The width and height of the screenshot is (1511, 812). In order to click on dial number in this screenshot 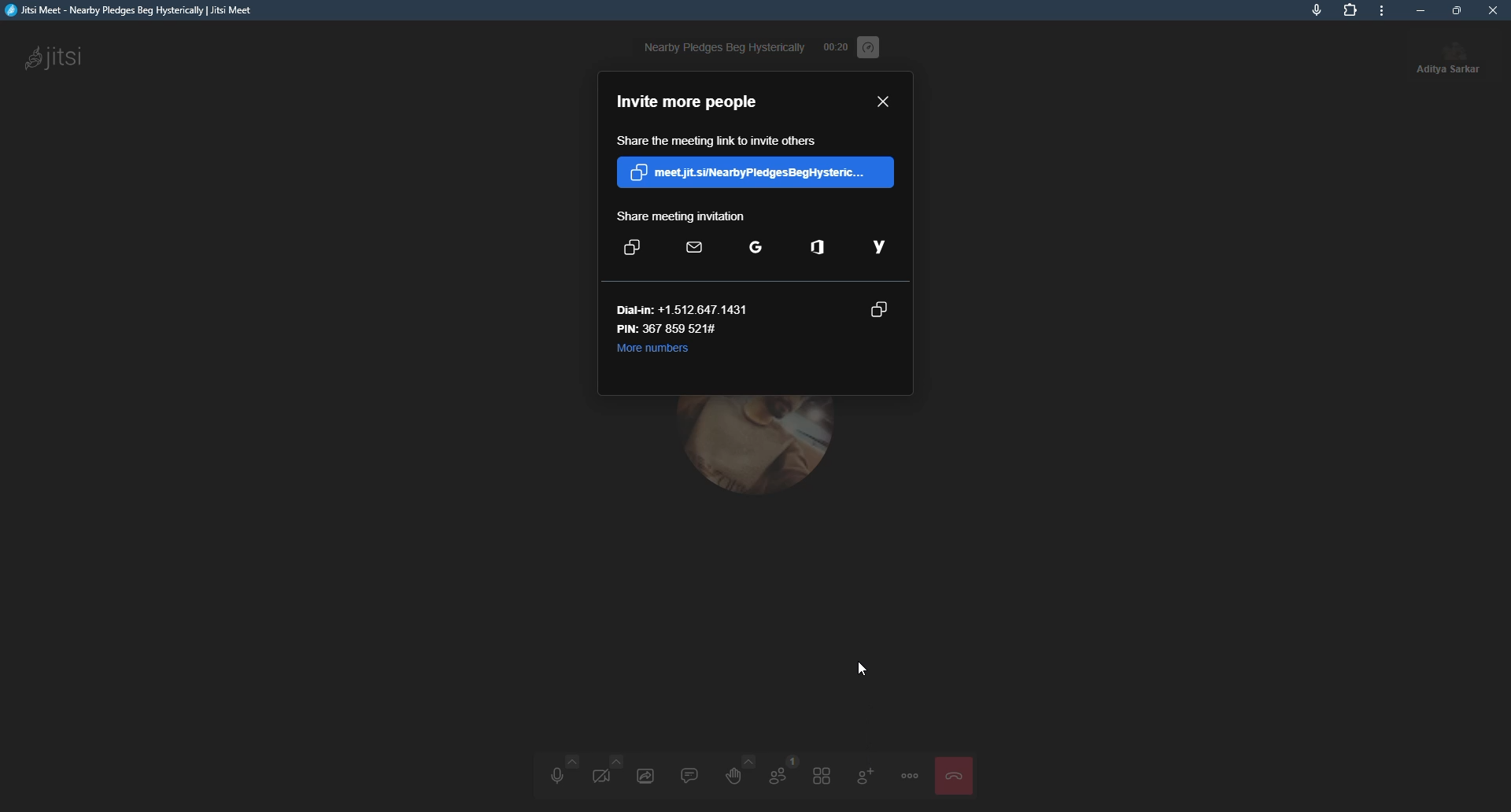, I will do `click(682, 308)`.